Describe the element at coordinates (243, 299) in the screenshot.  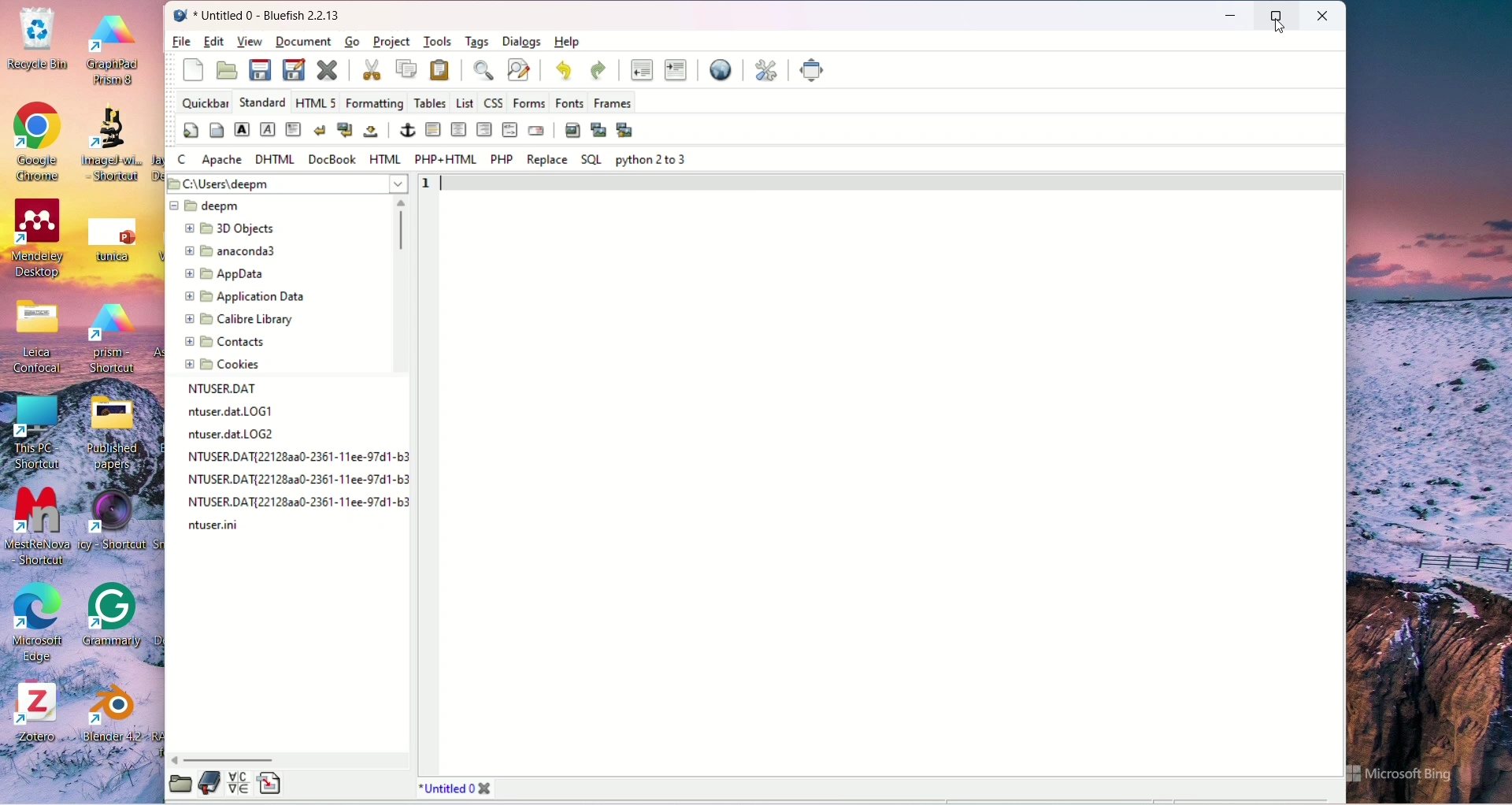
I see `application` at that location.